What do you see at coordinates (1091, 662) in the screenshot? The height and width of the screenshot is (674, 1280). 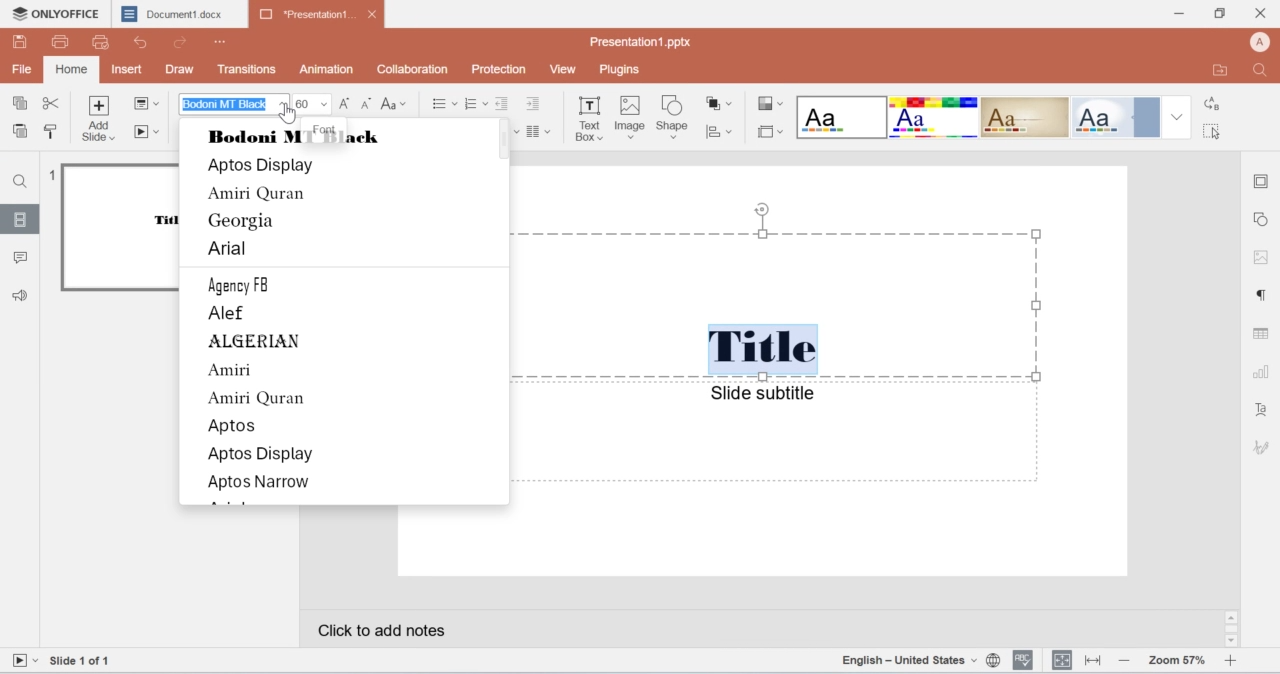 I see `resize` at bounding box center [1091, 662].